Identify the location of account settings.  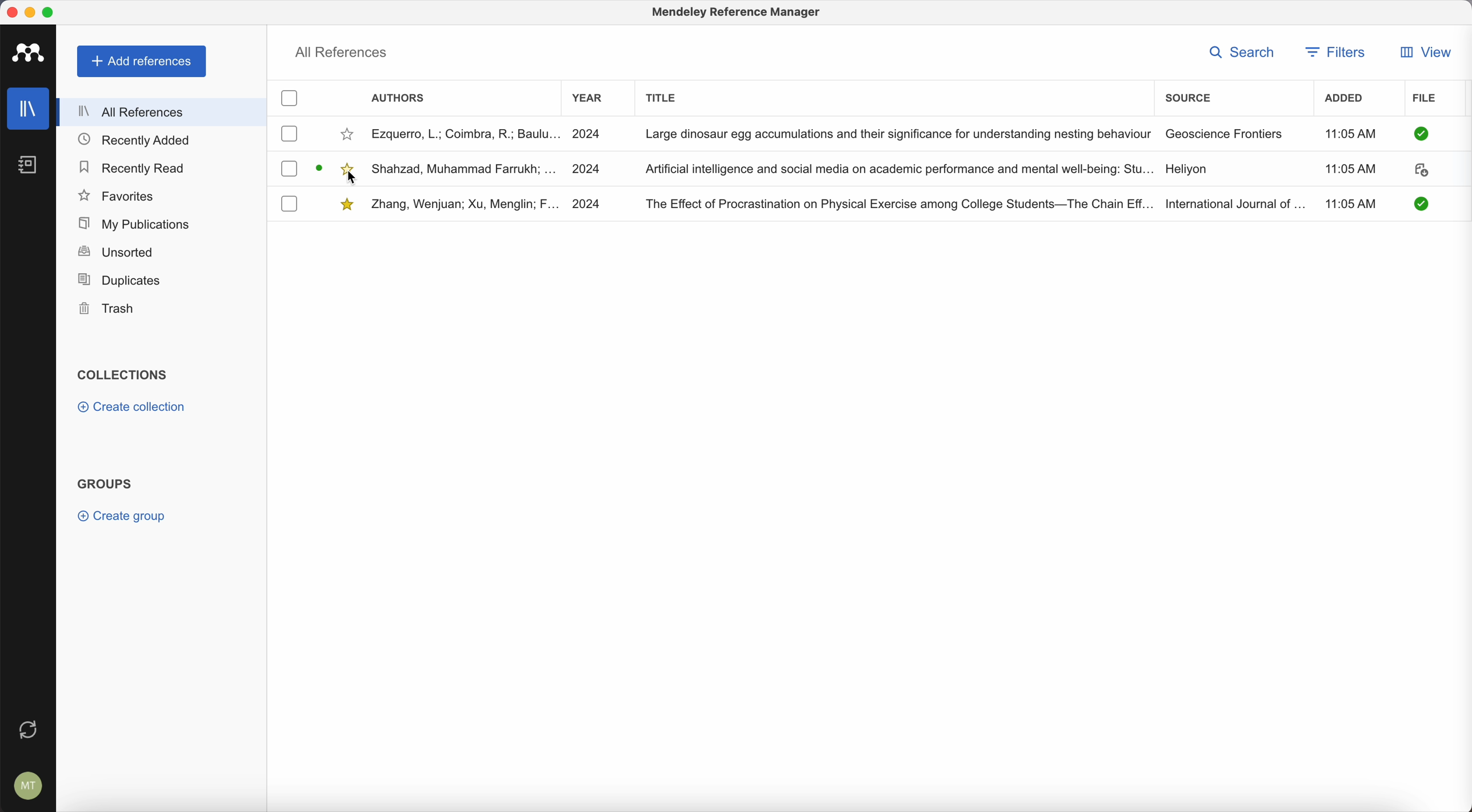
(26, 783).